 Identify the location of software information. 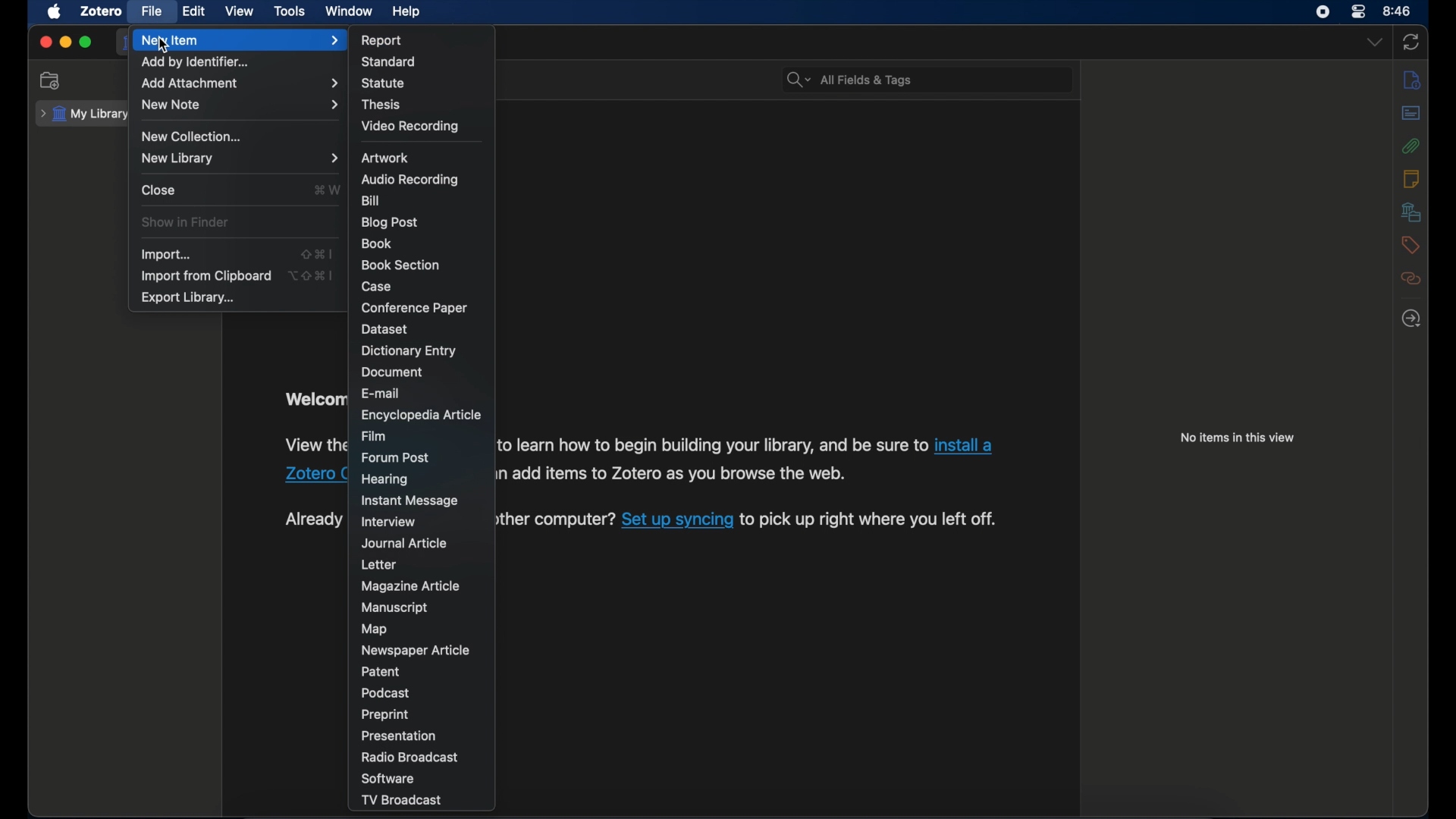
(711, 445).